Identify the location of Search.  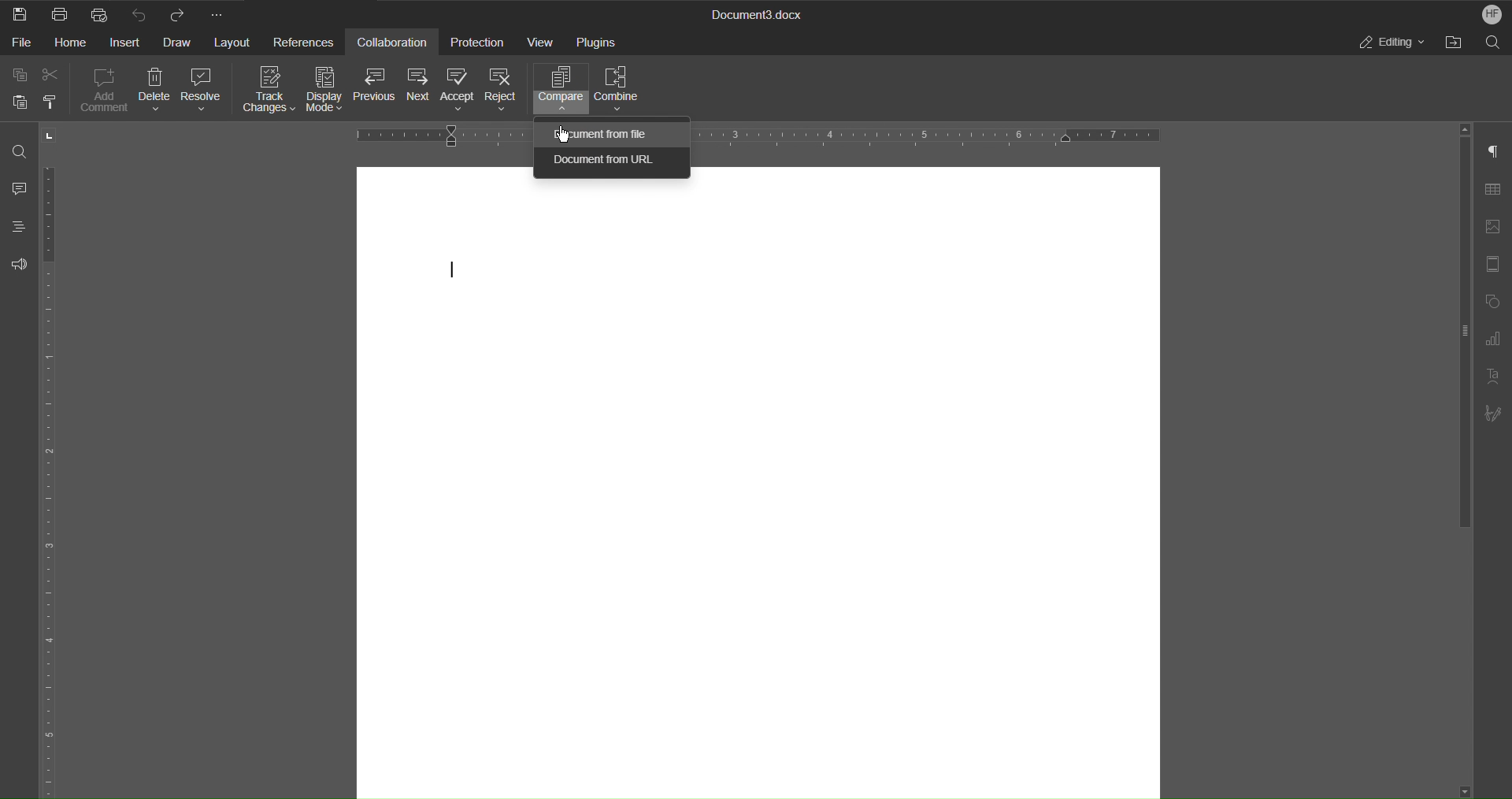
(1493, 43).